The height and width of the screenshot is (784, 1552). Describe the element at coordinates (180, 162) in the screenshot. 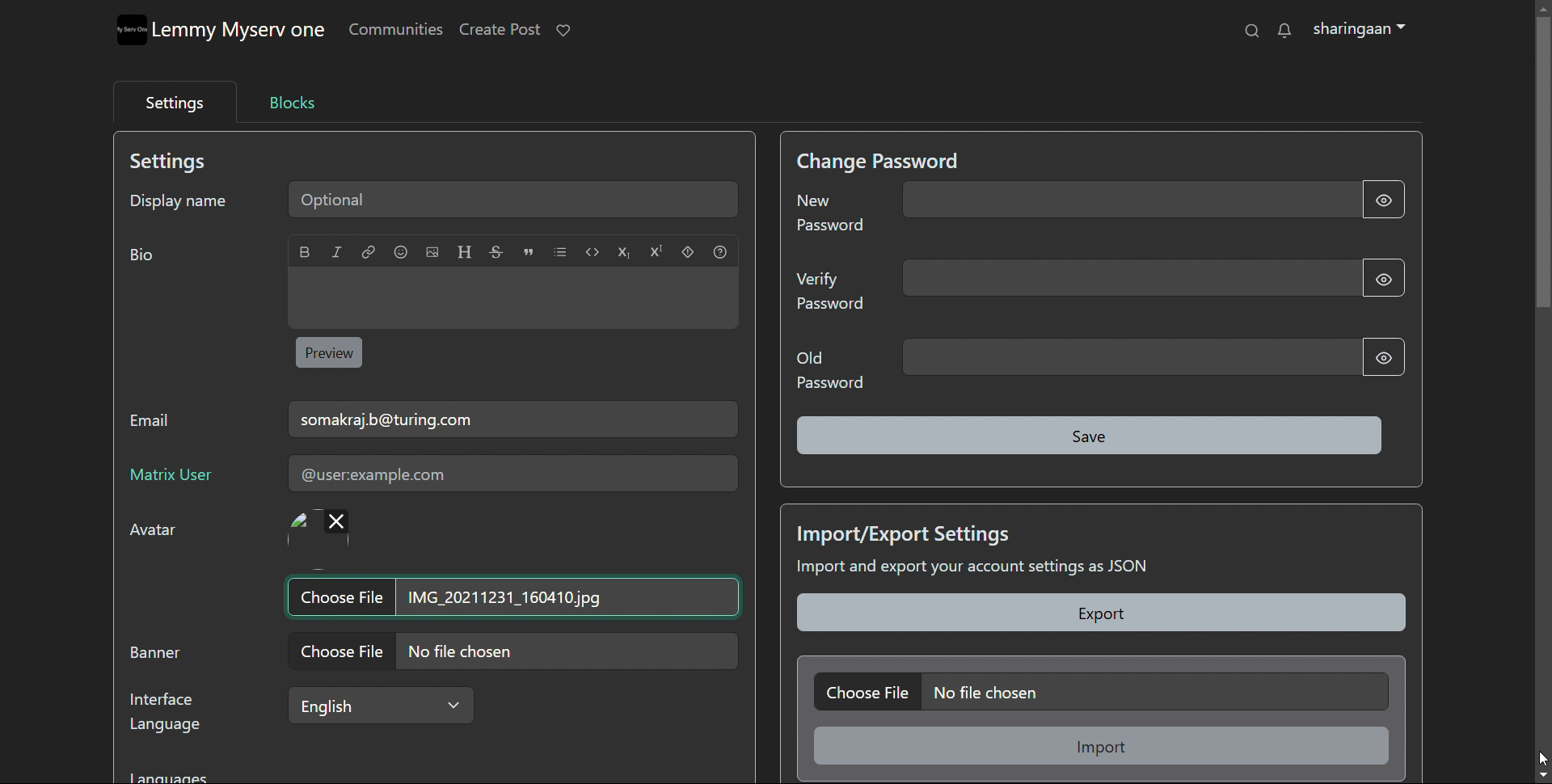

I see `Settings` at that location.